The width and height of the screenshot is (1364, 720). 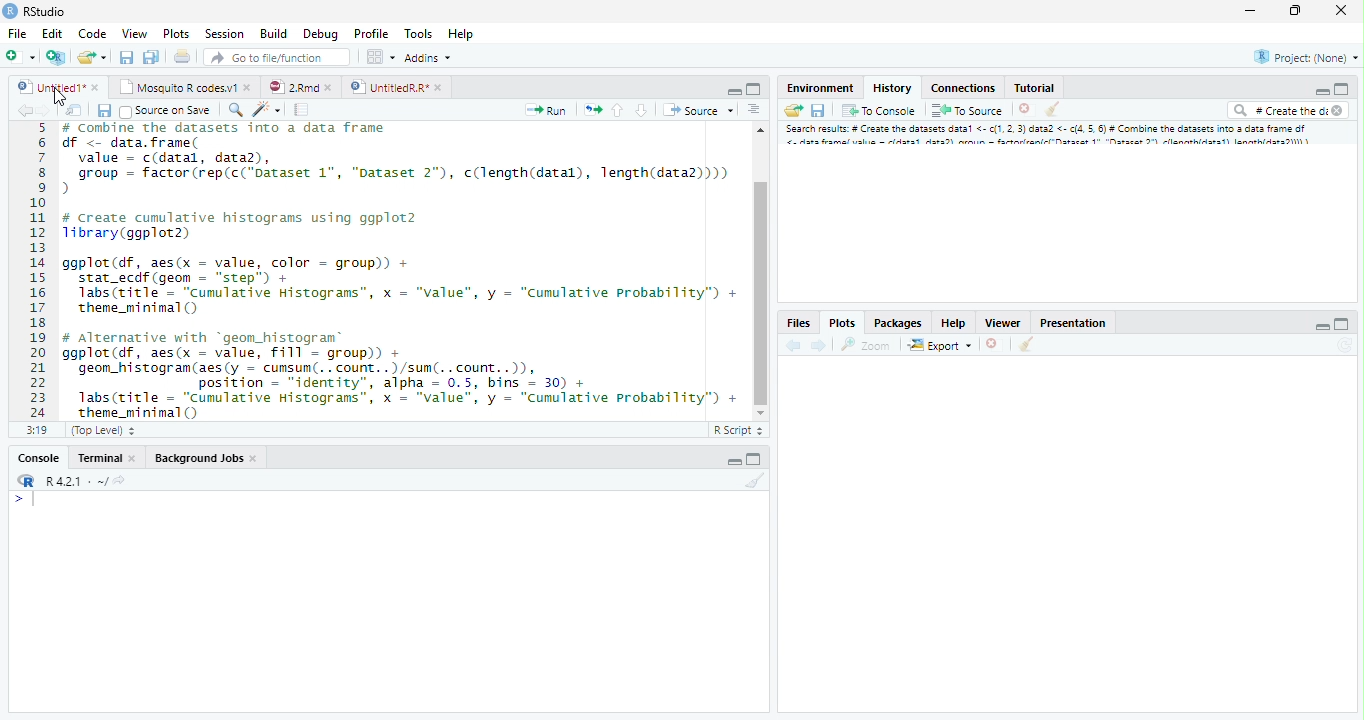 I want to click on Go to the next section/chunk, so click(x=641, y=111).